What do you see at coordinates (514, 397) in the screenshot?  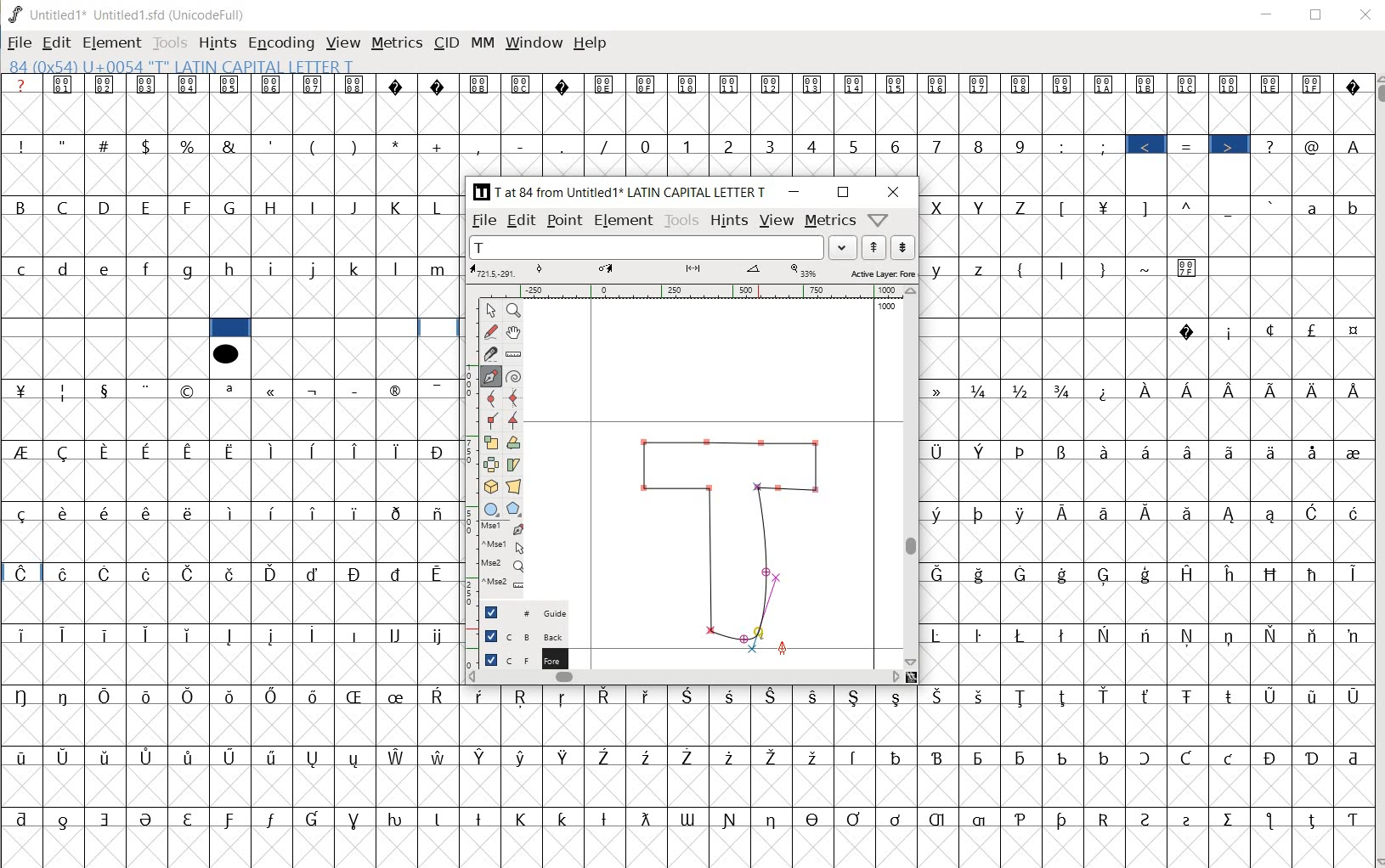 I see `HV curve` at bounding box center [514, 397].